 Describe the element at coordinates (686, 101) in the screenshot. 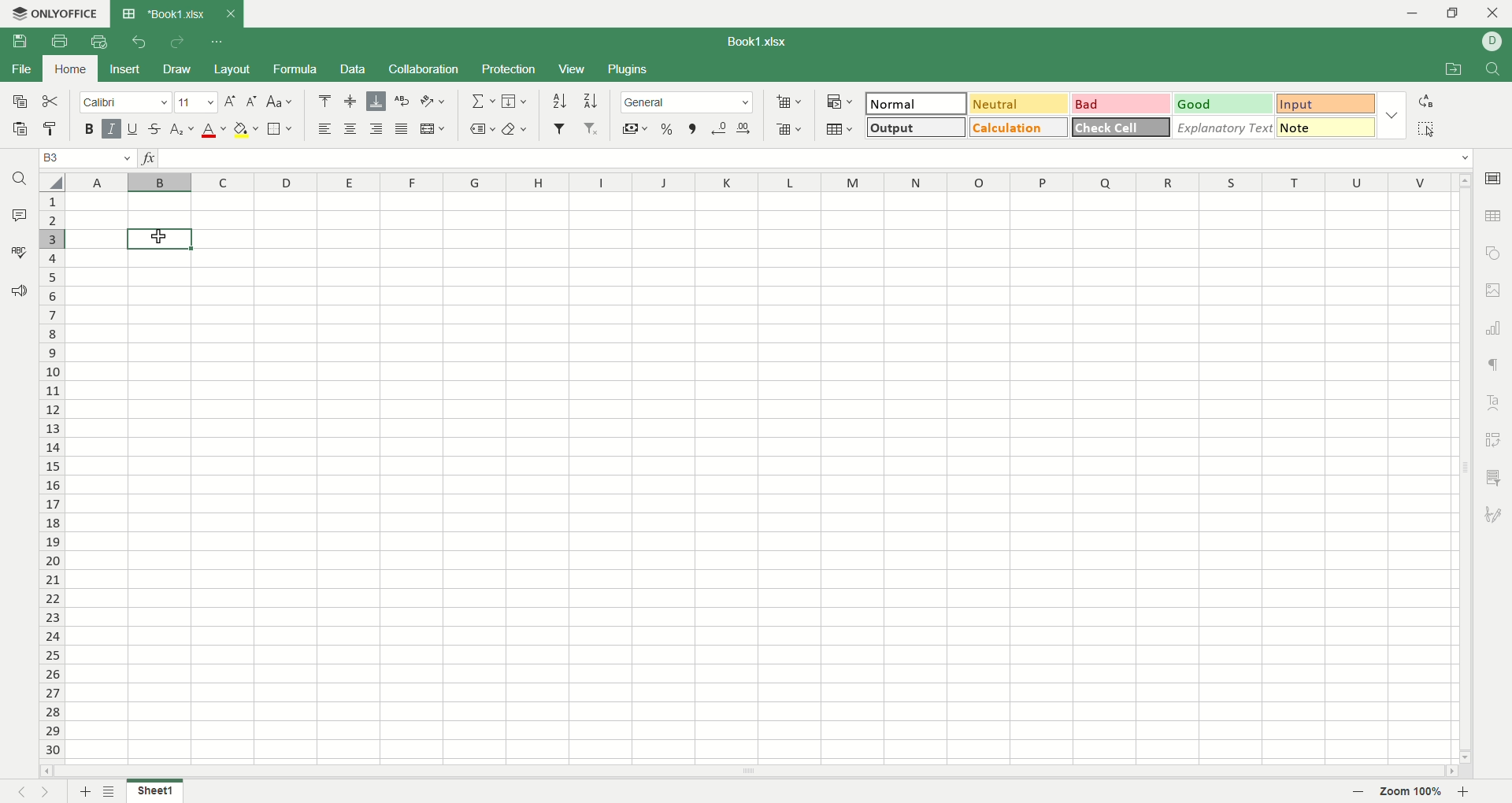

I see `number format` at that location.